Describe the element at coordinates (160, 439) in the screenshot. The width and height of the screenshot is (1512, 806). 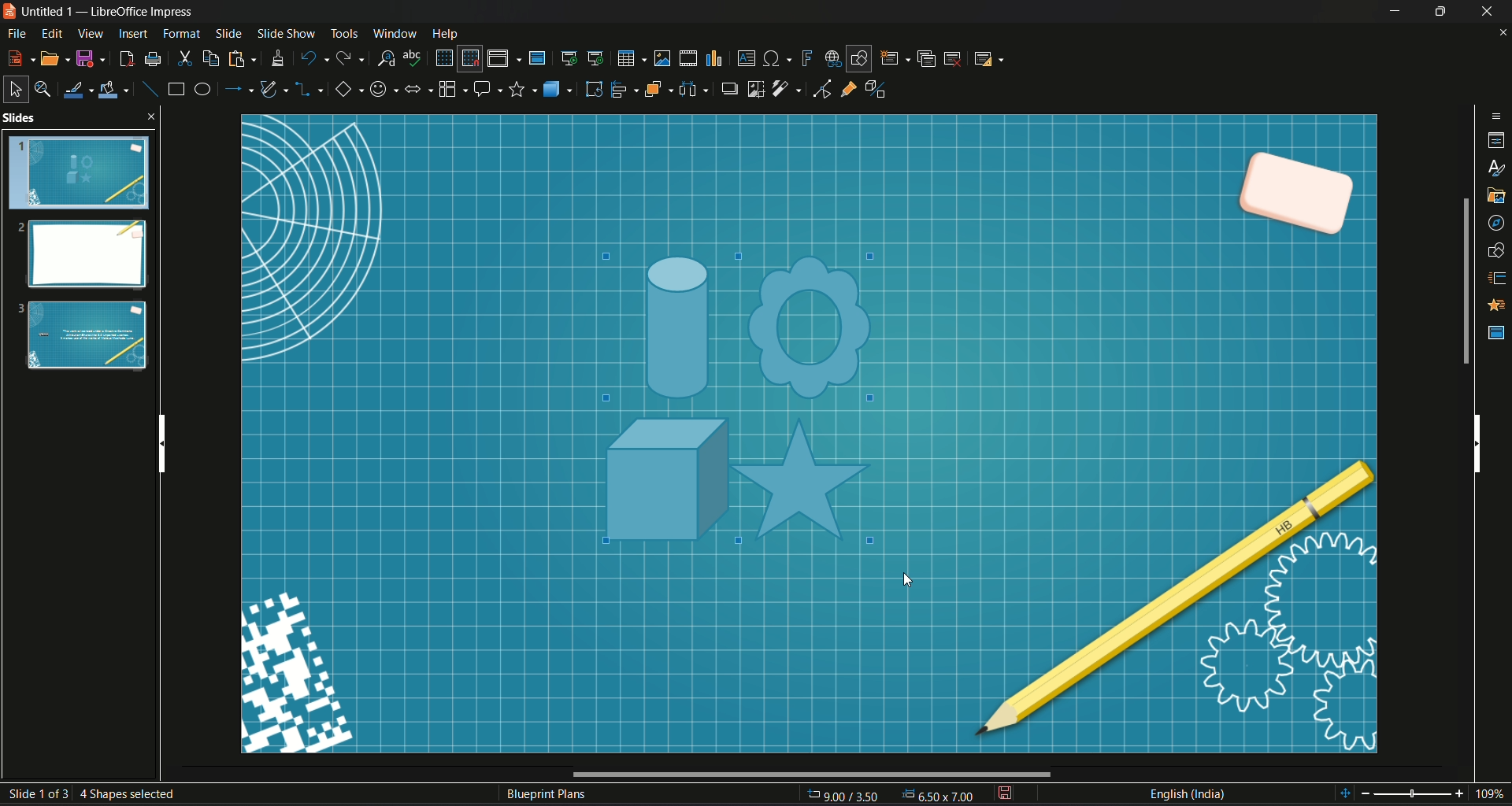
I see `Vertical scroll bar` at that location.